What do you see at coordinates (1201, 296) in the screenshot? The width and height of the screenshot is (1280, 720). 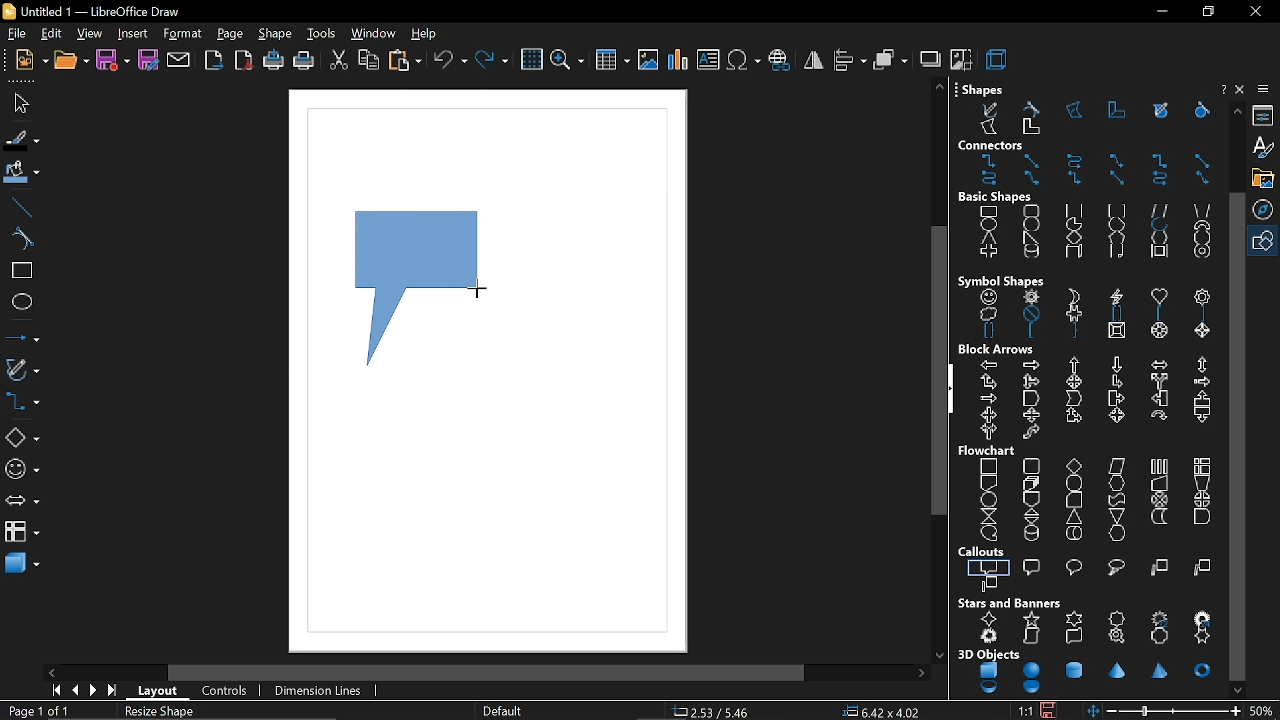 I see `flower` at bounding box center [1201, 296].